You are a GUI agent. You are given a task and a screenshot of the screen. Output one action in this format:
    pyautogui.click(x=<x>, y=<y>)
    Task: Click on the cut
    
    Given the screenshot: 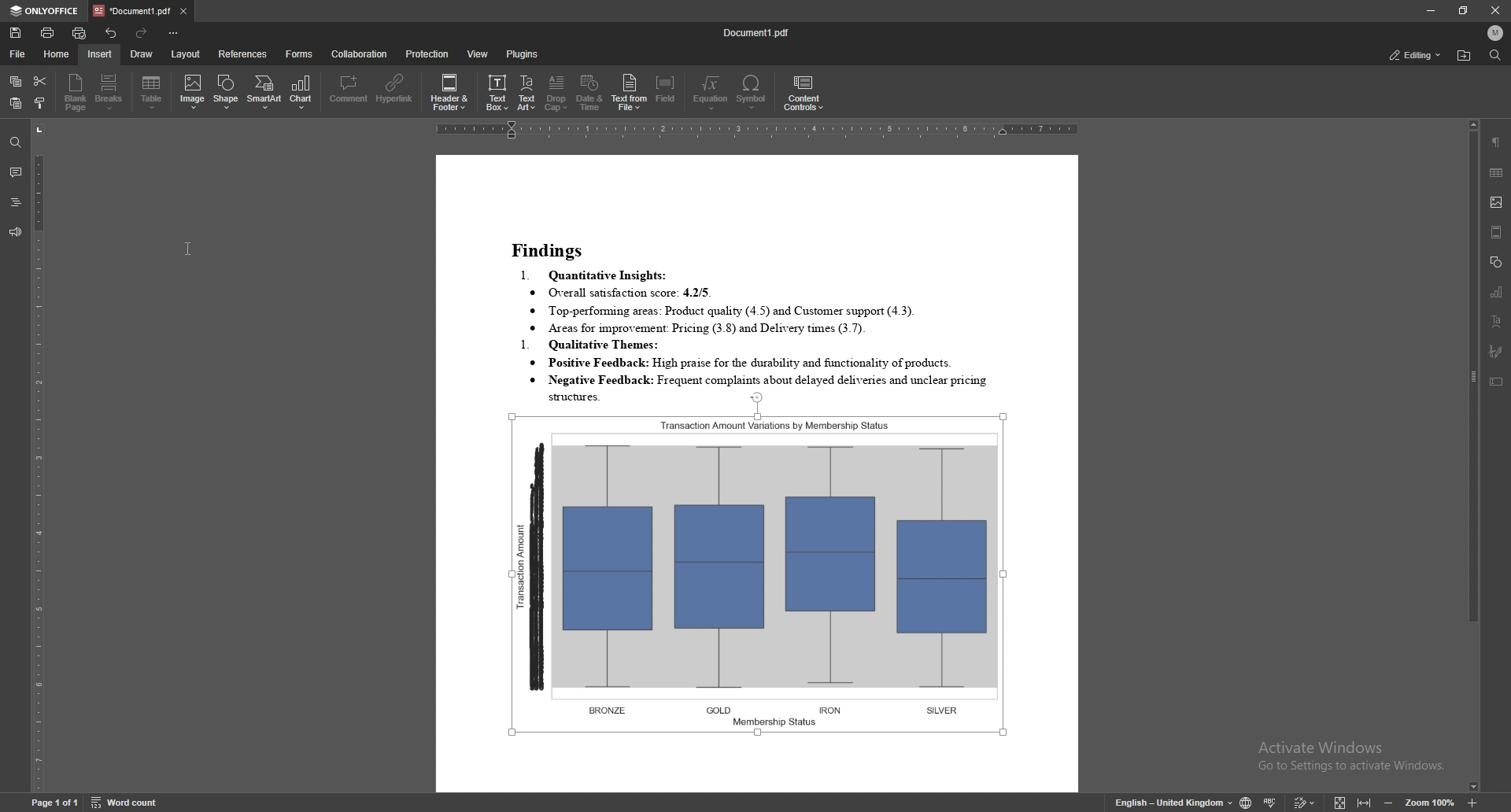 What is the action you would take?
    pyautogui.click(x=41, y=79)
    